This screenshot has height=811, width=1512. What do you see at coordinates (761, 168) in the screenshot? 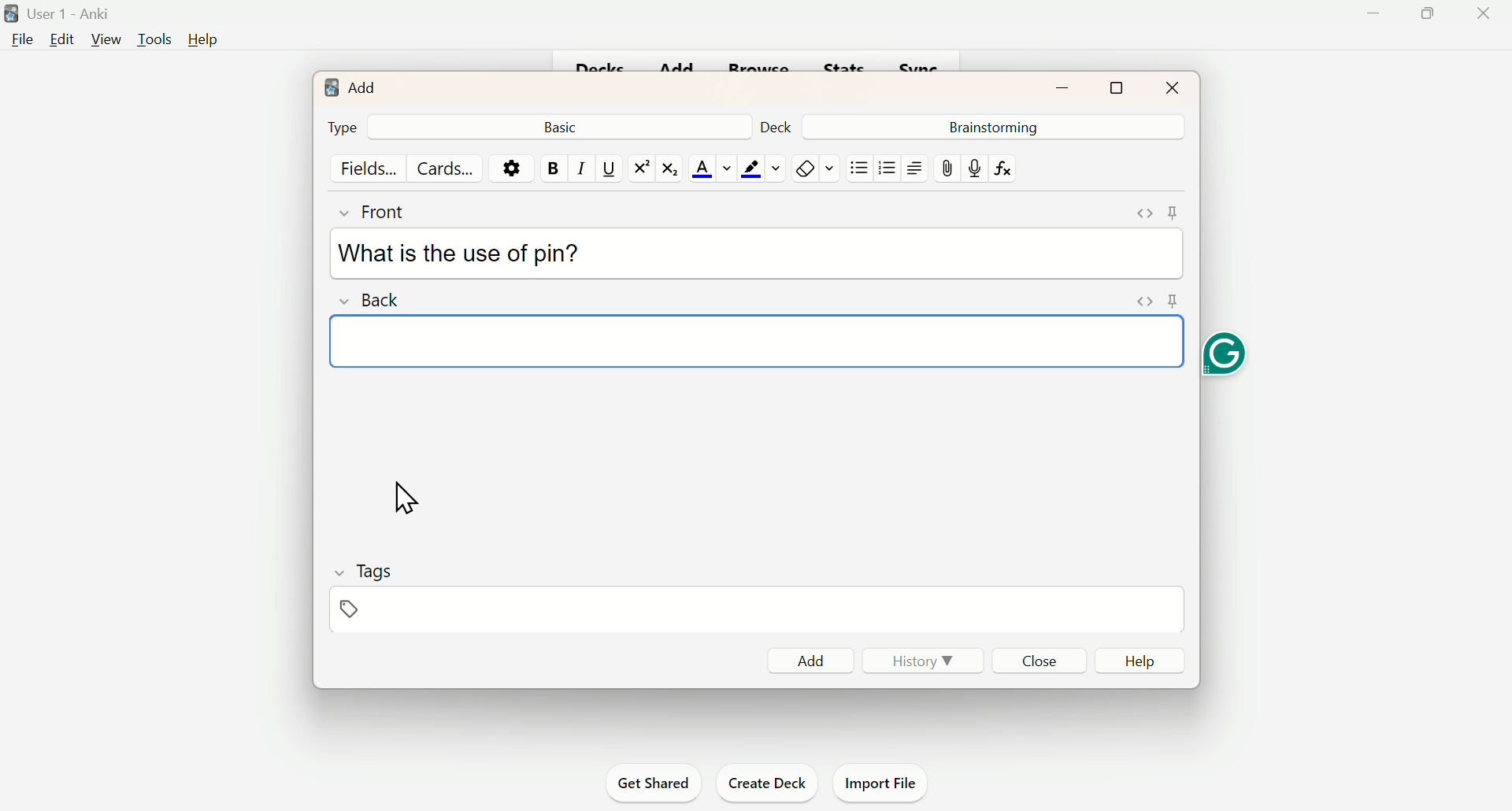
I see `Color` at bounding box center [761, 168].